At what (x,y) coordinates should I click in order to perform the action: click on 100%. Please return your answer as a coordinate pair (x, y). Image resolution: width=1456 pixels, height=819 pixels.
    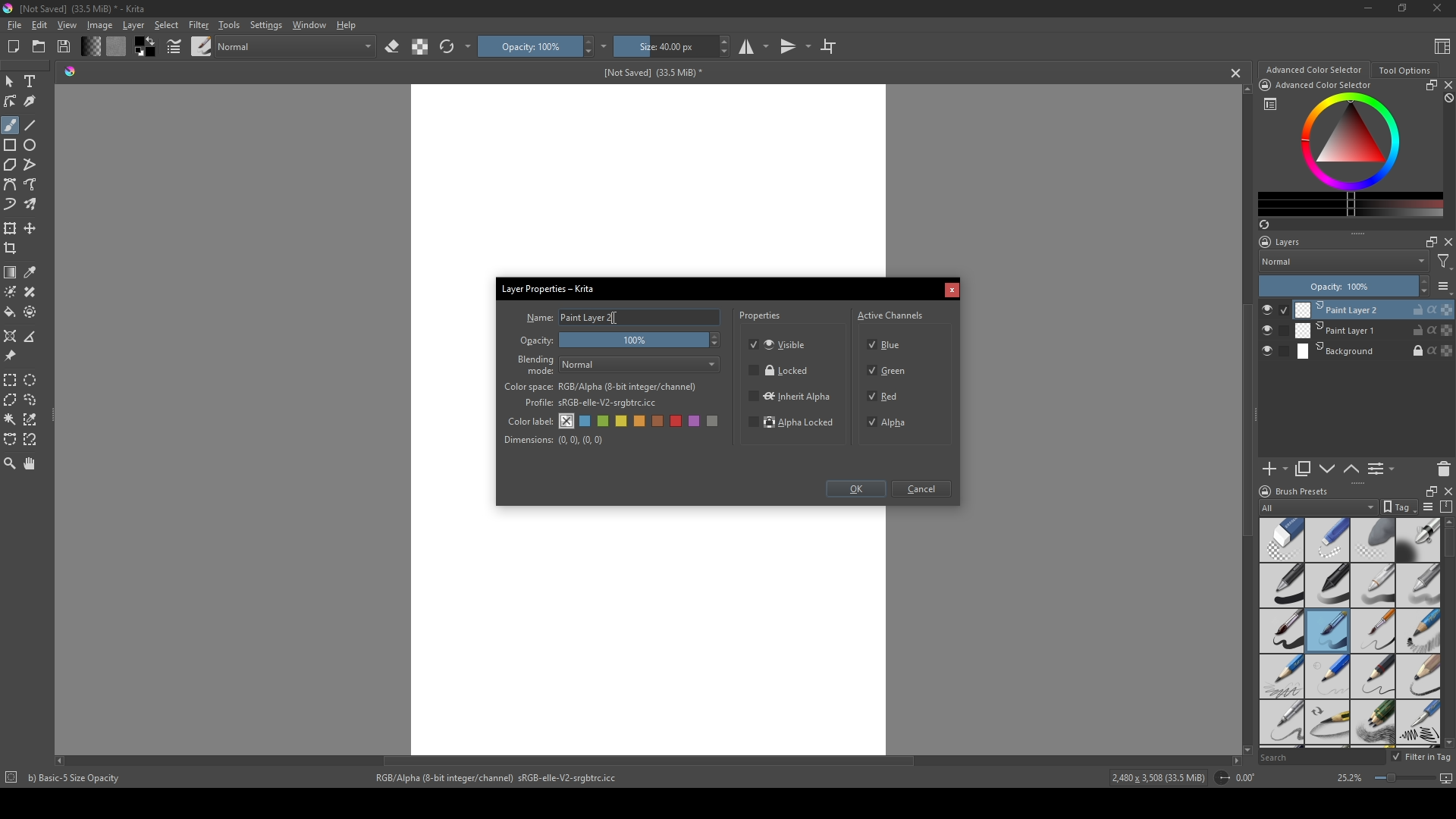
    Looking at the image, I should click on (642, 341).